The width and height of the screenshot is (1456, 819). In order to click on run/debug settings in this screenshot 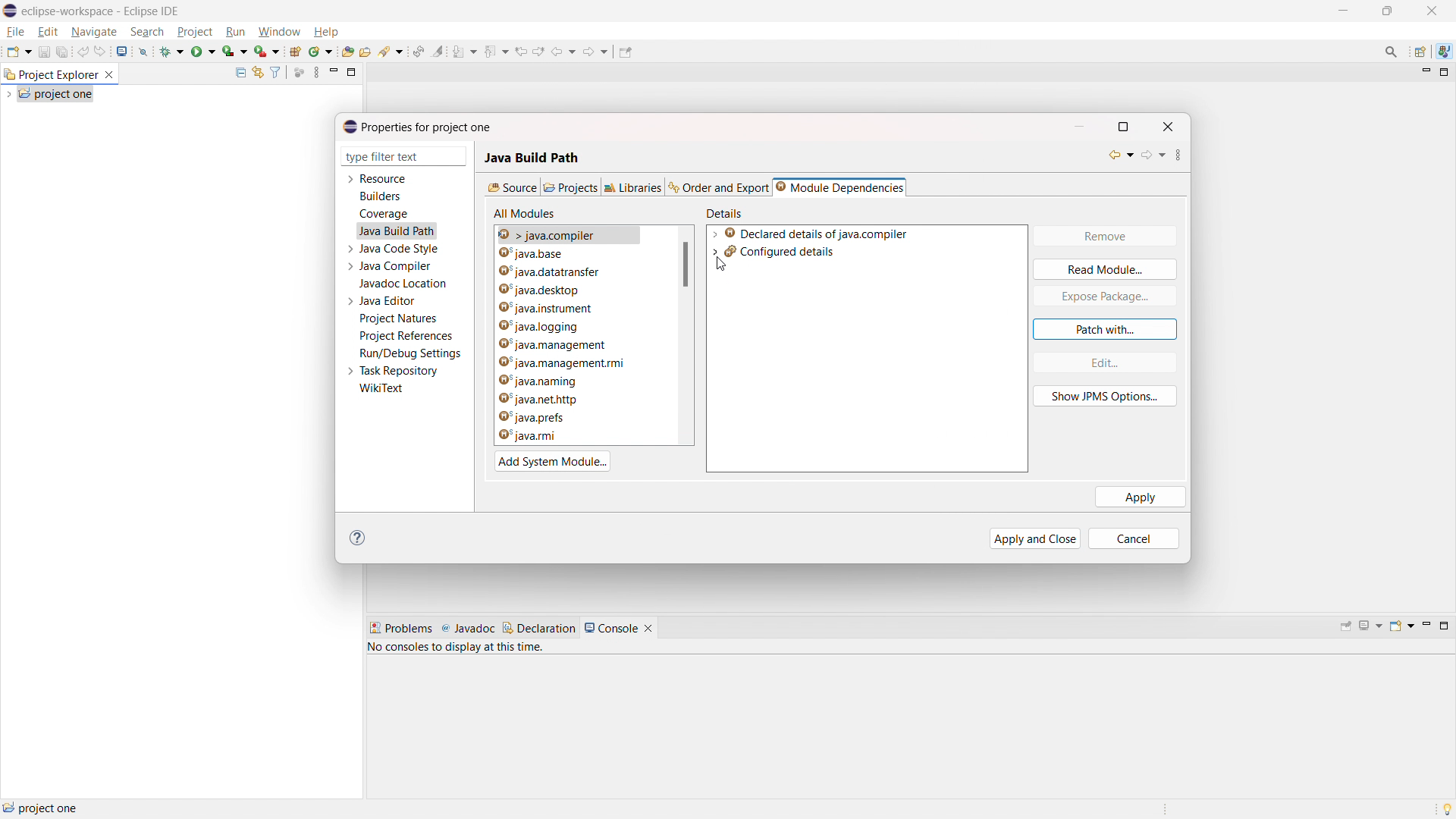, I will do `click(411, 353)`.